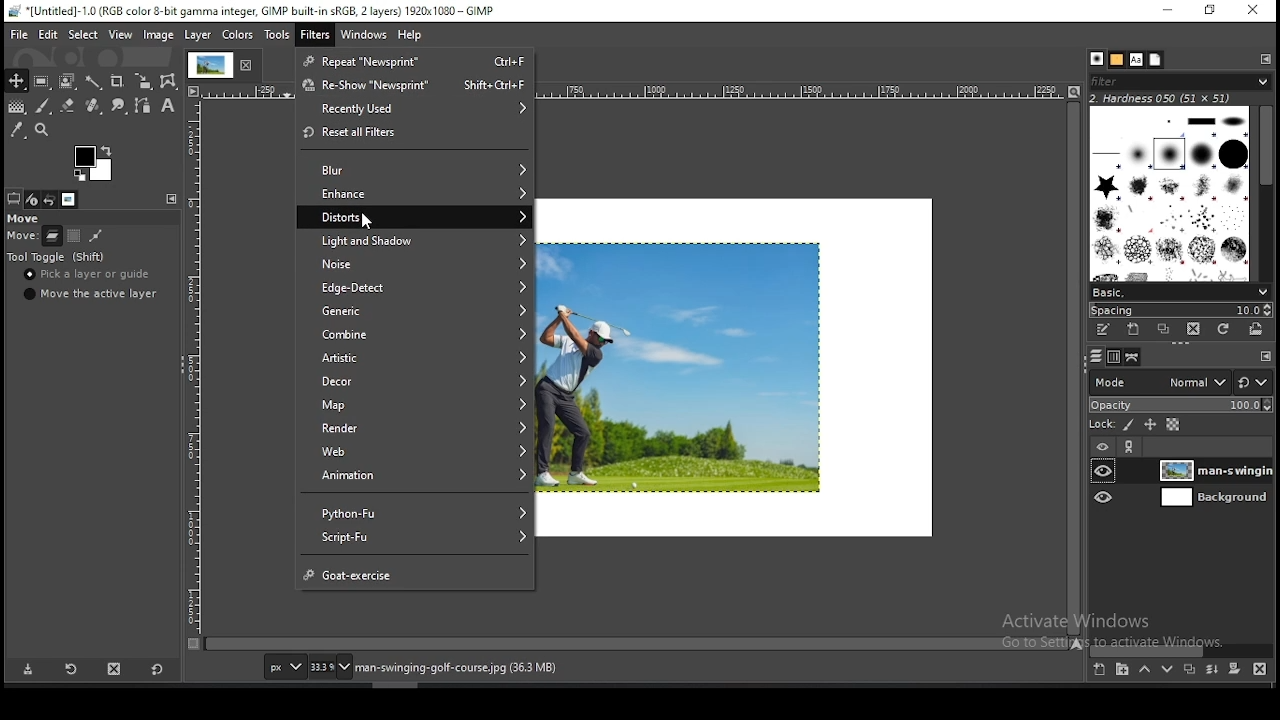 The width and height of the screenshot is (1280, 720). I want to click on scale tool, so click(144, 82).